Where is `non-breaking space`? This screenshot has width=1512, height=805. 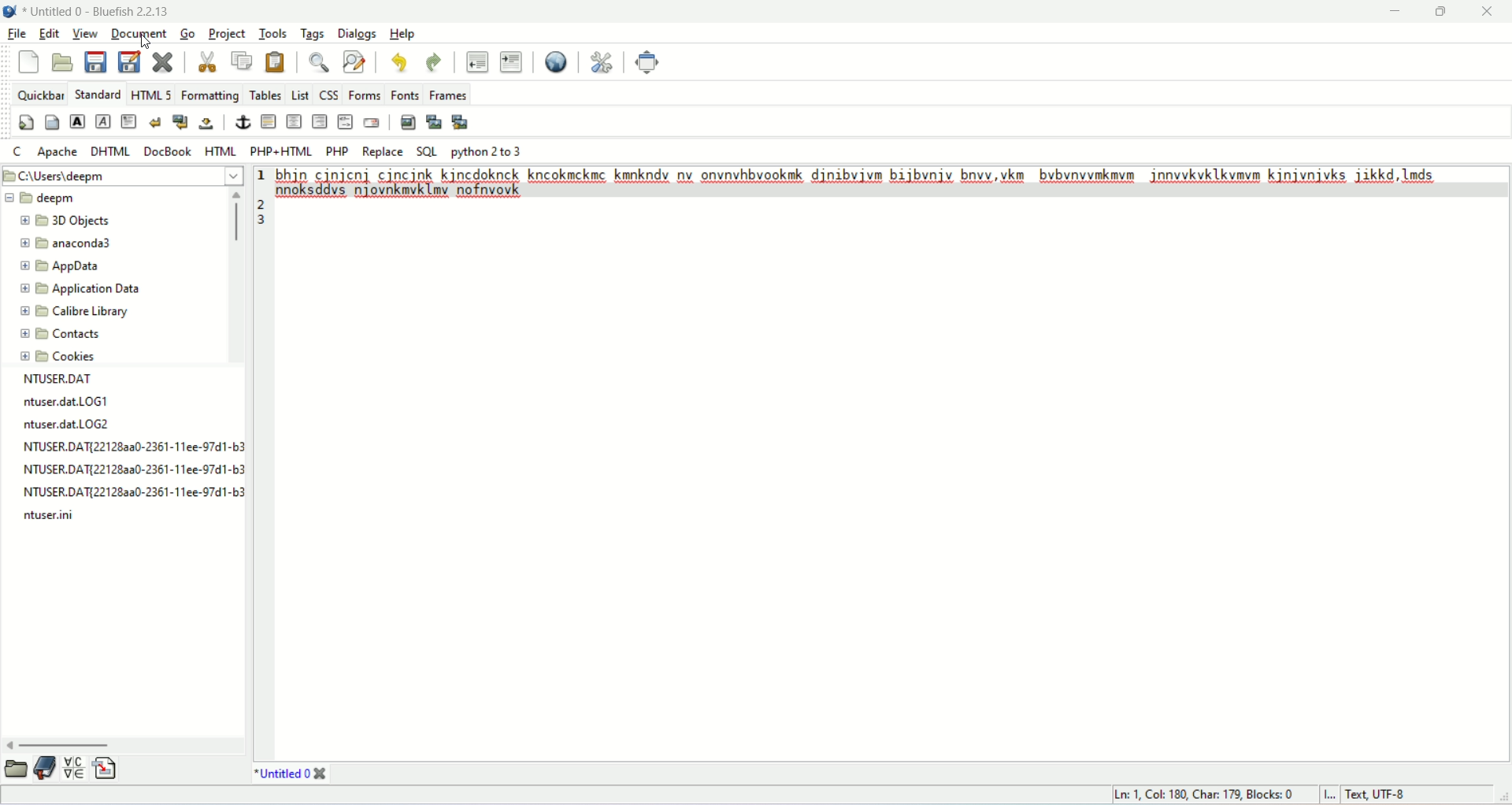
non-breaking space is located at coordinates (206, 122).